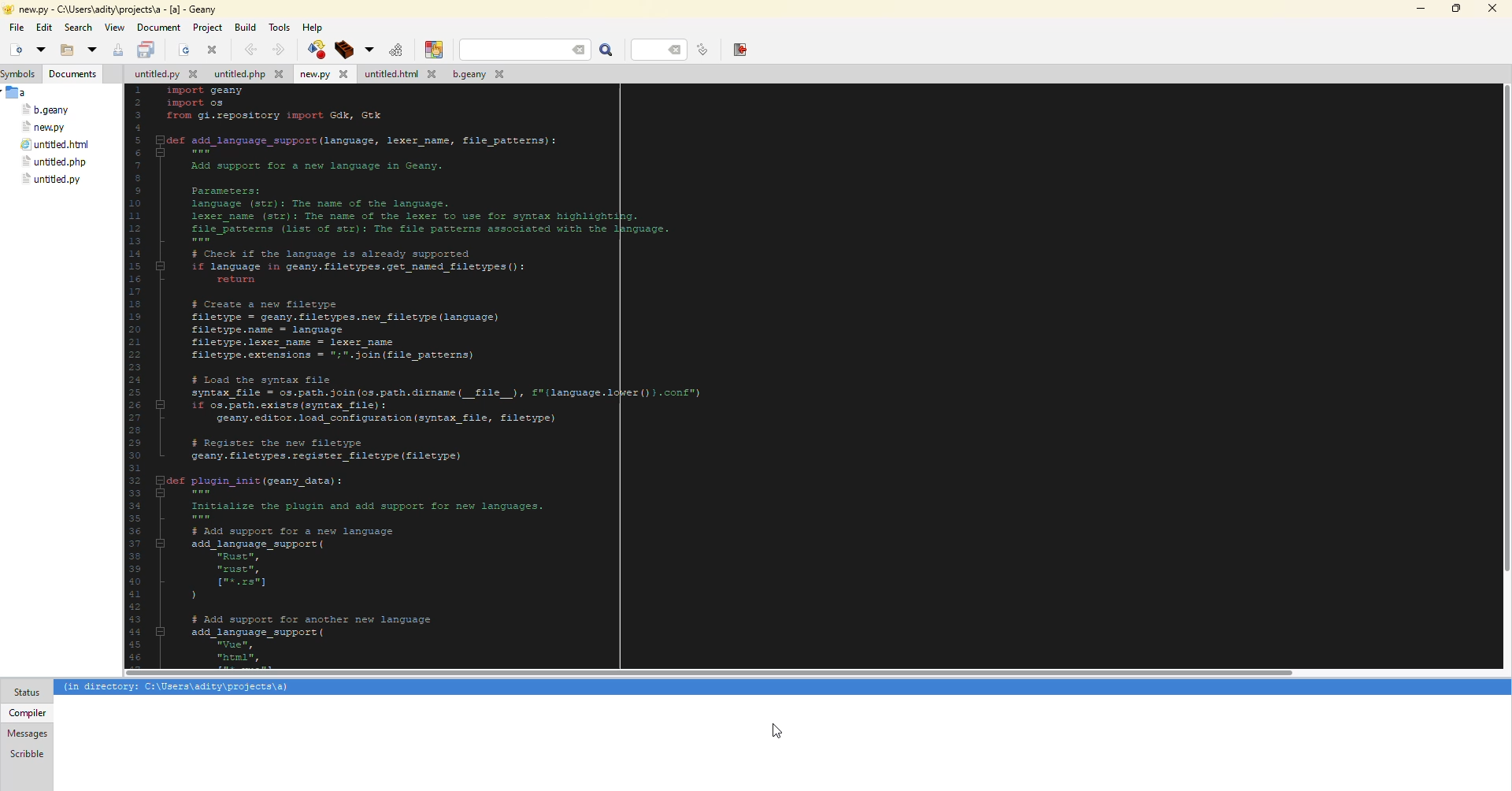 The image size is (1512, 791). Describe the element at coordinates (737, 49) in the screenshot. I see `exit` at that location.